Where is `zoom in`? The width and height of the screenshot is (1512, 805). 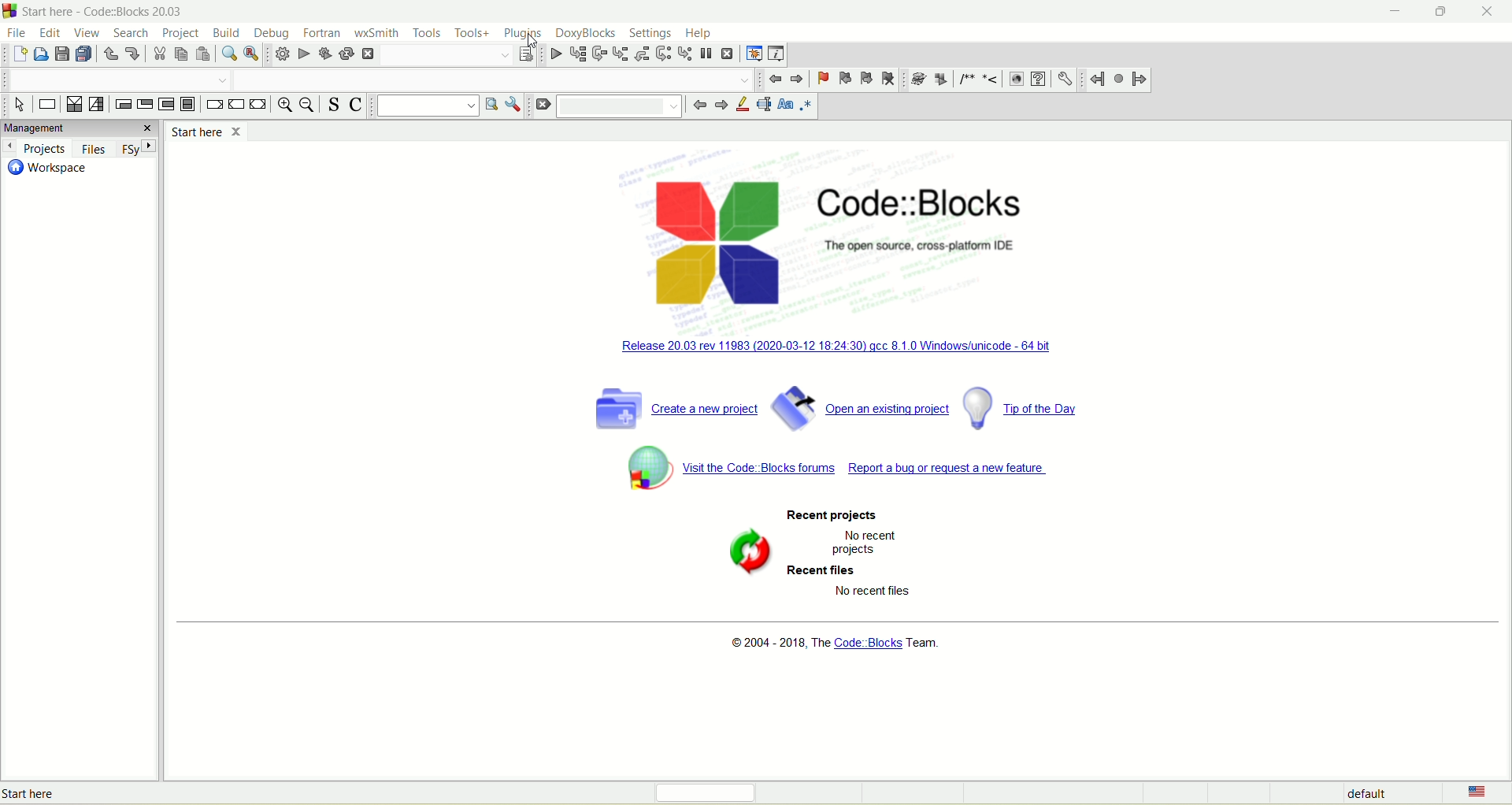 zoom in is located at coordinates (283, 105).